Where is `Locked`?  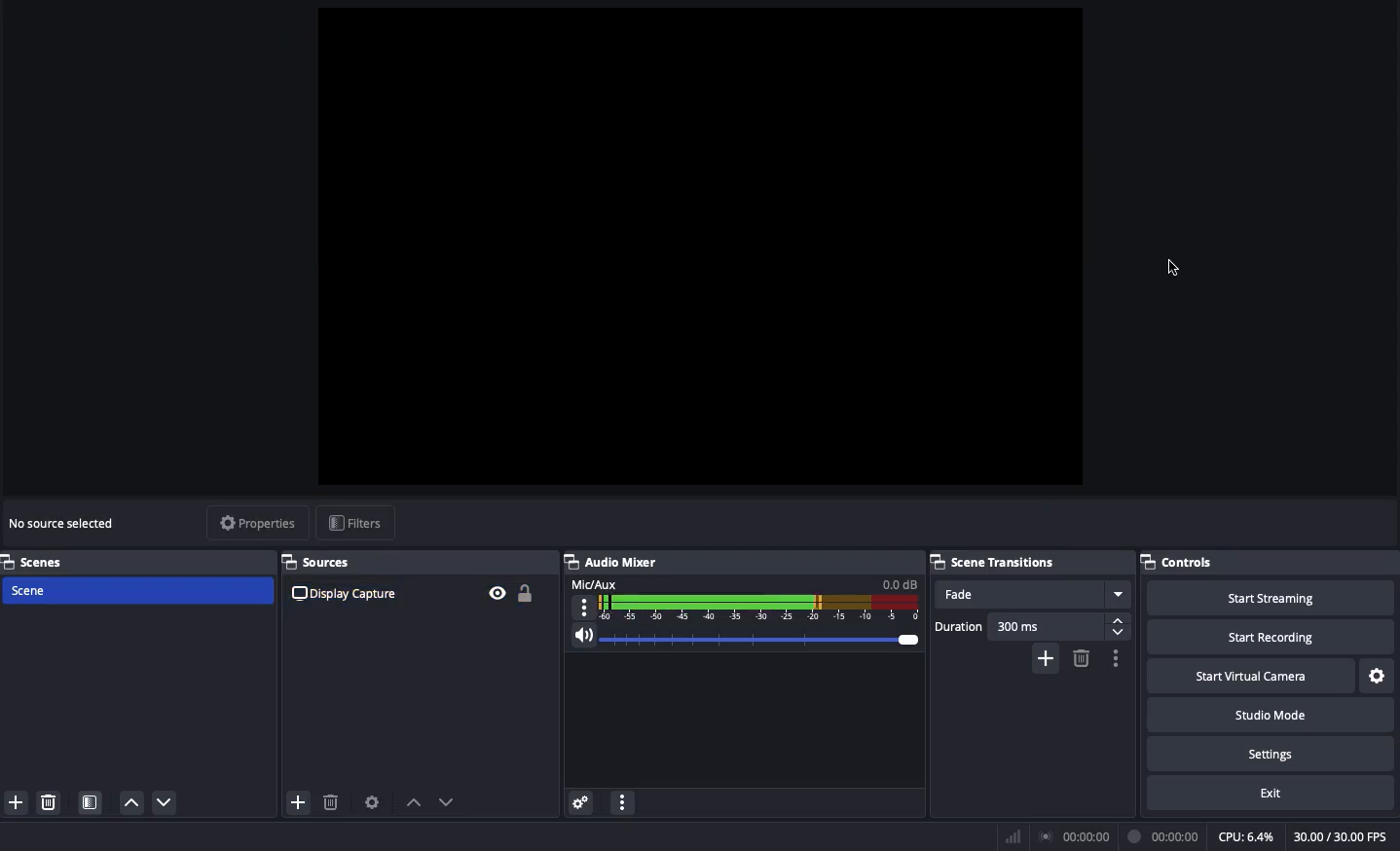 Locked is located at coordinates (523, 593).